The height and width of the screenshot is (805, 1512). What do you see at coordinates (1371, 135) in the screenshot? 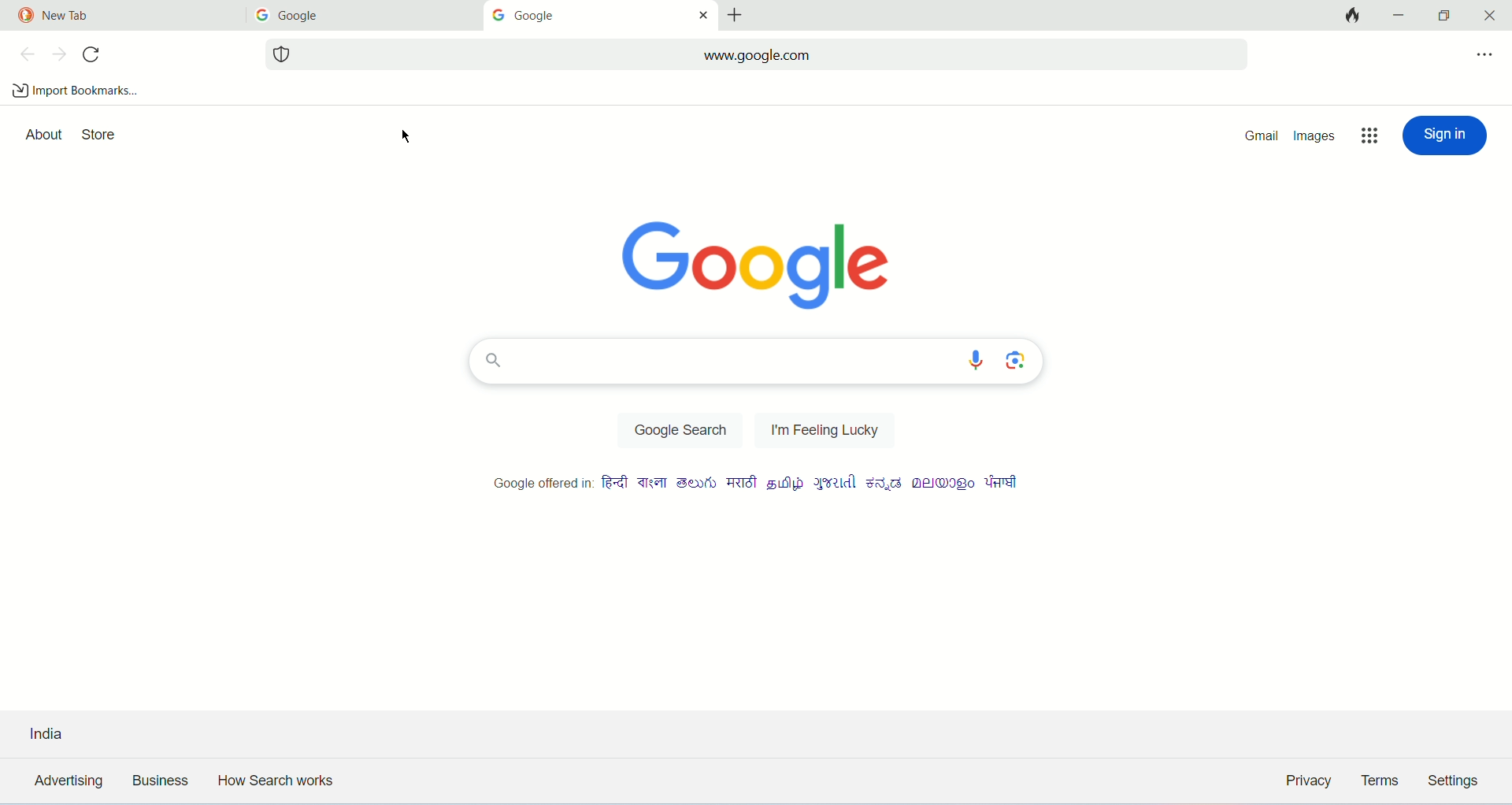
I see `options` at bounding box center [1371, 135].